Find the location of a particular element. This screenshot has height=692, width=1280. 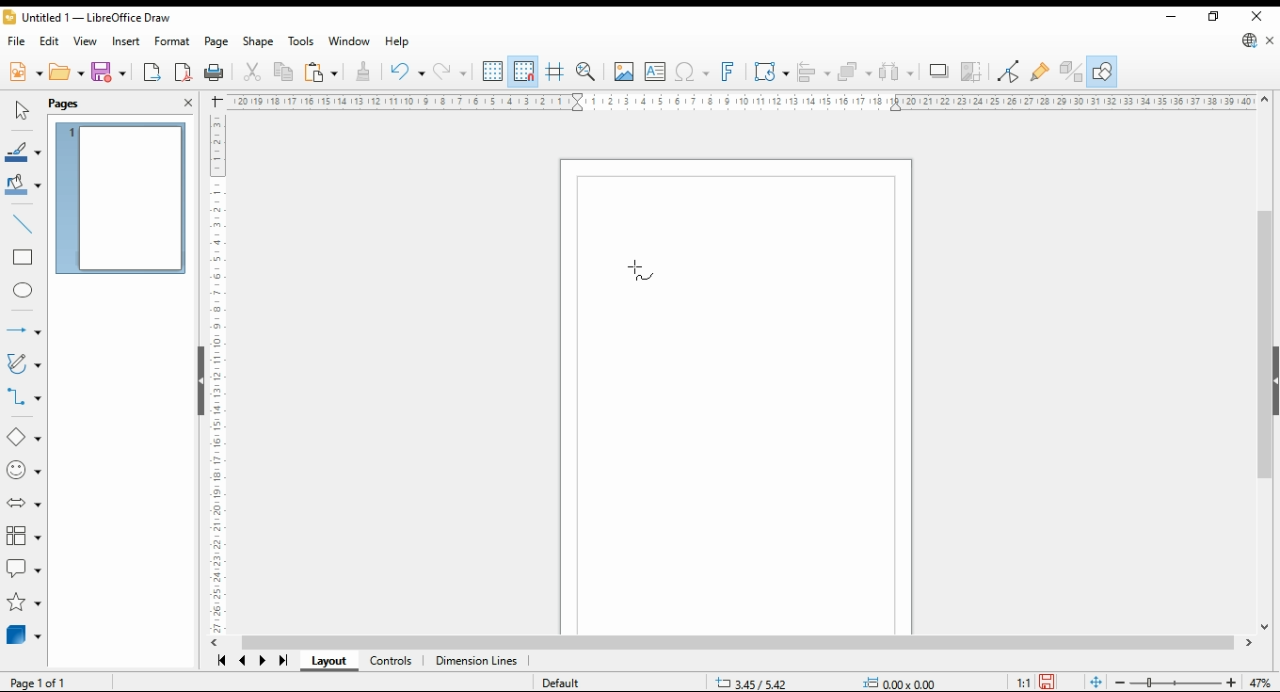

paste is located at coordinates (320, 74).